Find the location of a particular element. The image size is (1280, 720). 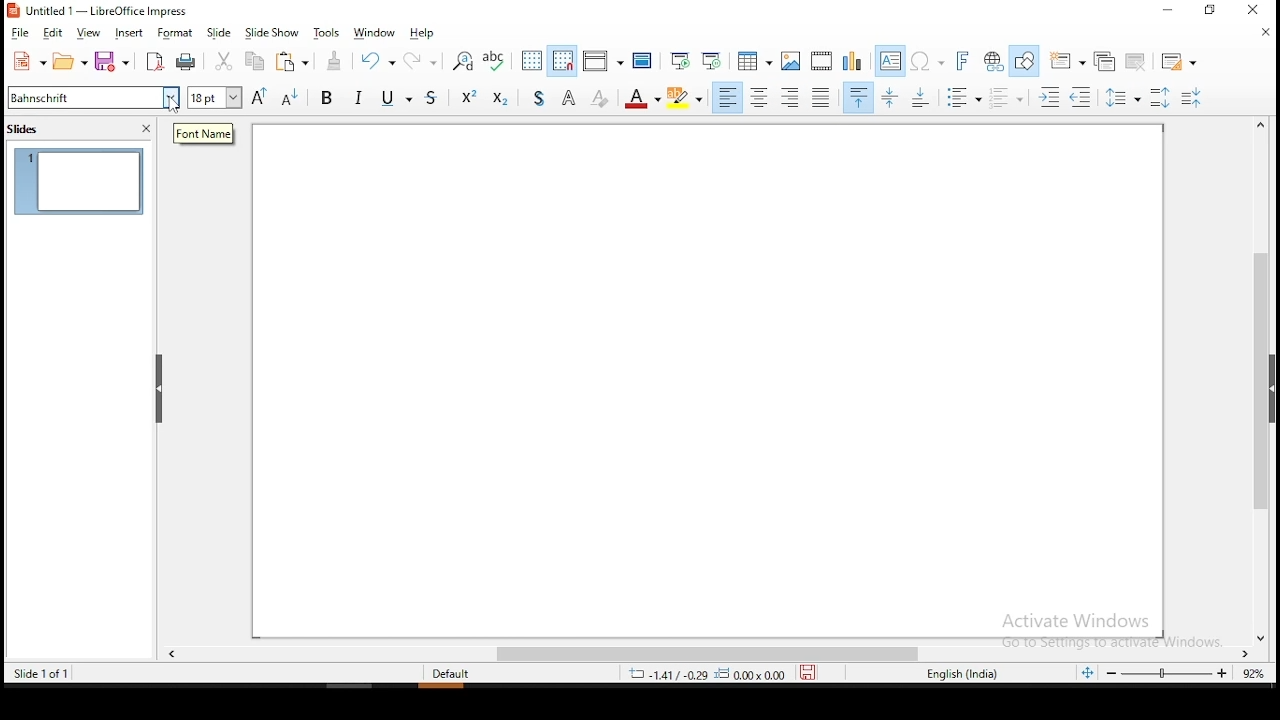

print is located at coordinates (188, 64).